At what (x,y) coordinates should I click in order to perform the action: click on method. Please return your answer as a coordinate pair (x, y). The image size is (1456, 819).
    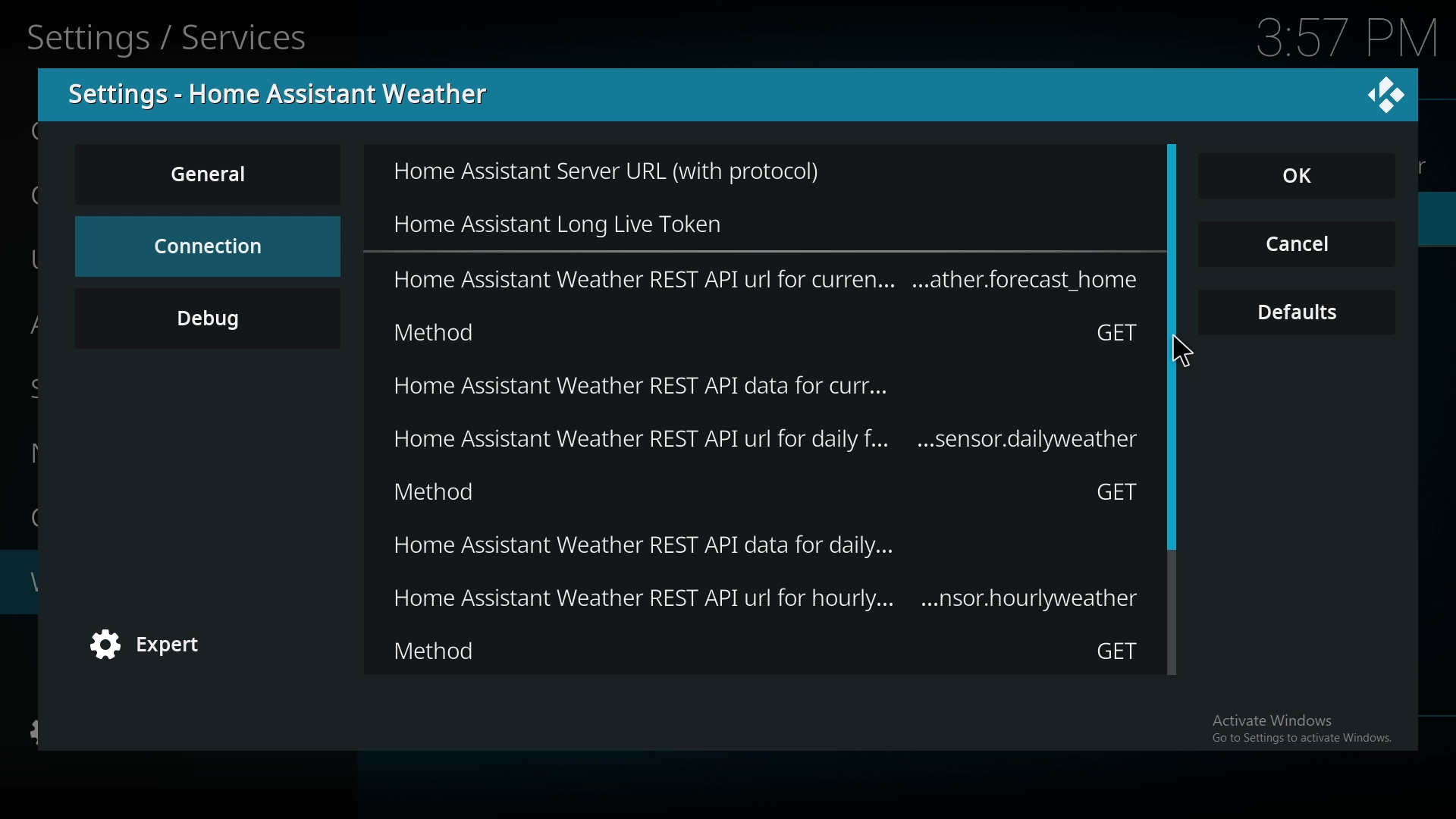
    Looking at the image, I should click on (766, 491).